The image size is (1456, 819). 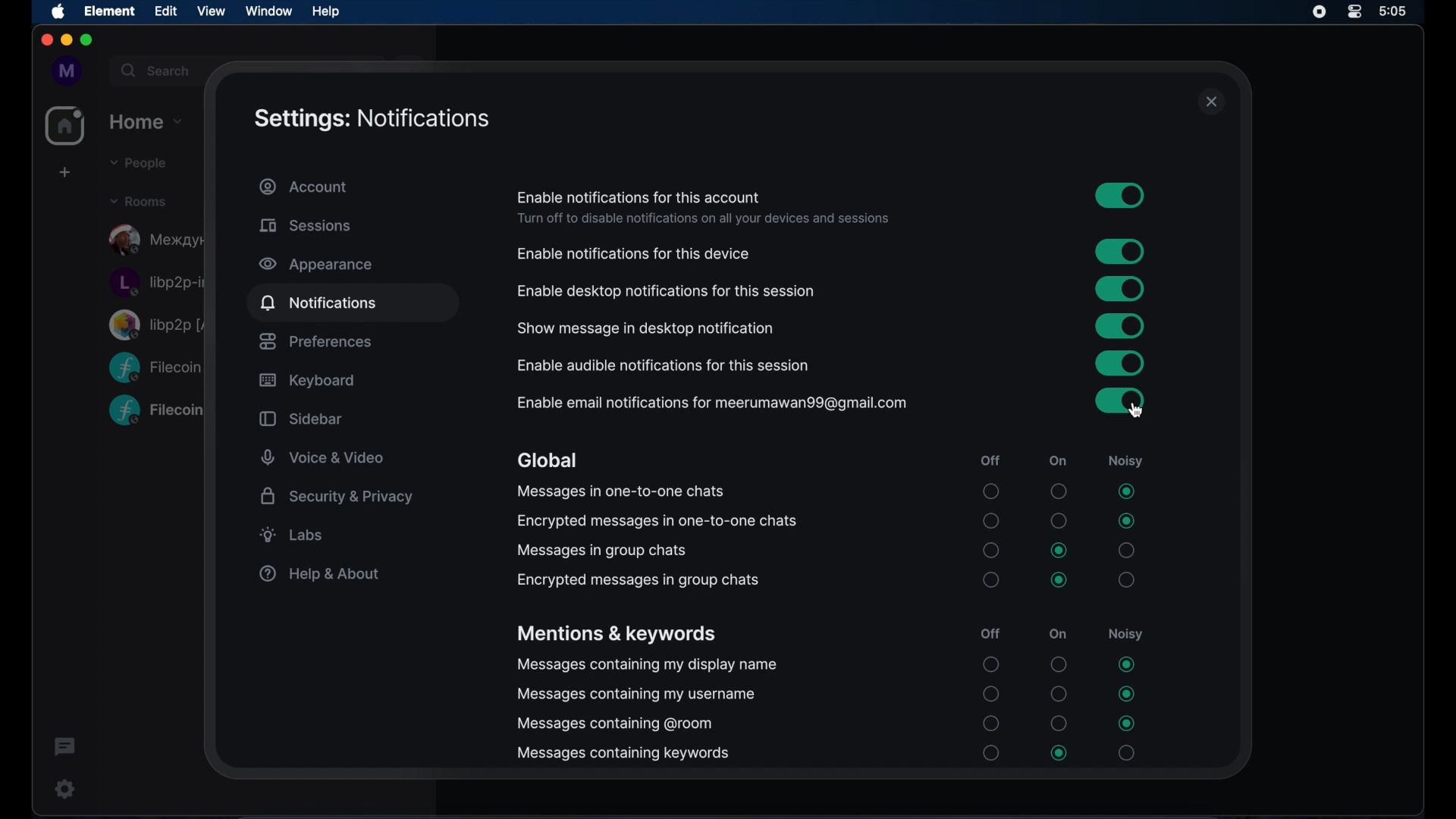 What do you see at coordinates (1058, 694) in the screenshot?
I see `radio button` at bounding box center [1058, 694].